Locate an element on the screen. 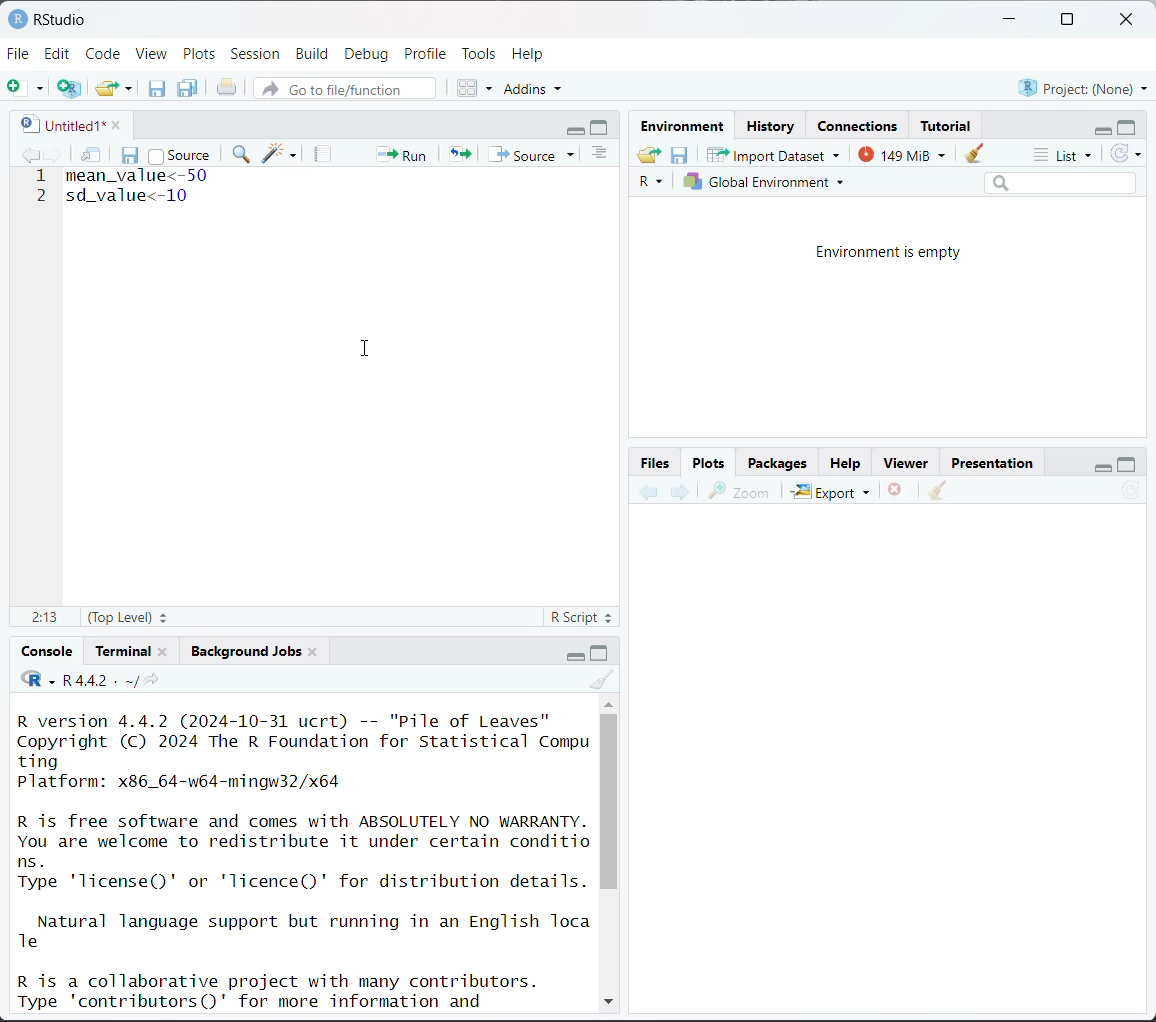 The width and height of the screenshot is (1156, 1022). refresh current plot is located at coordinates (1131, 493).